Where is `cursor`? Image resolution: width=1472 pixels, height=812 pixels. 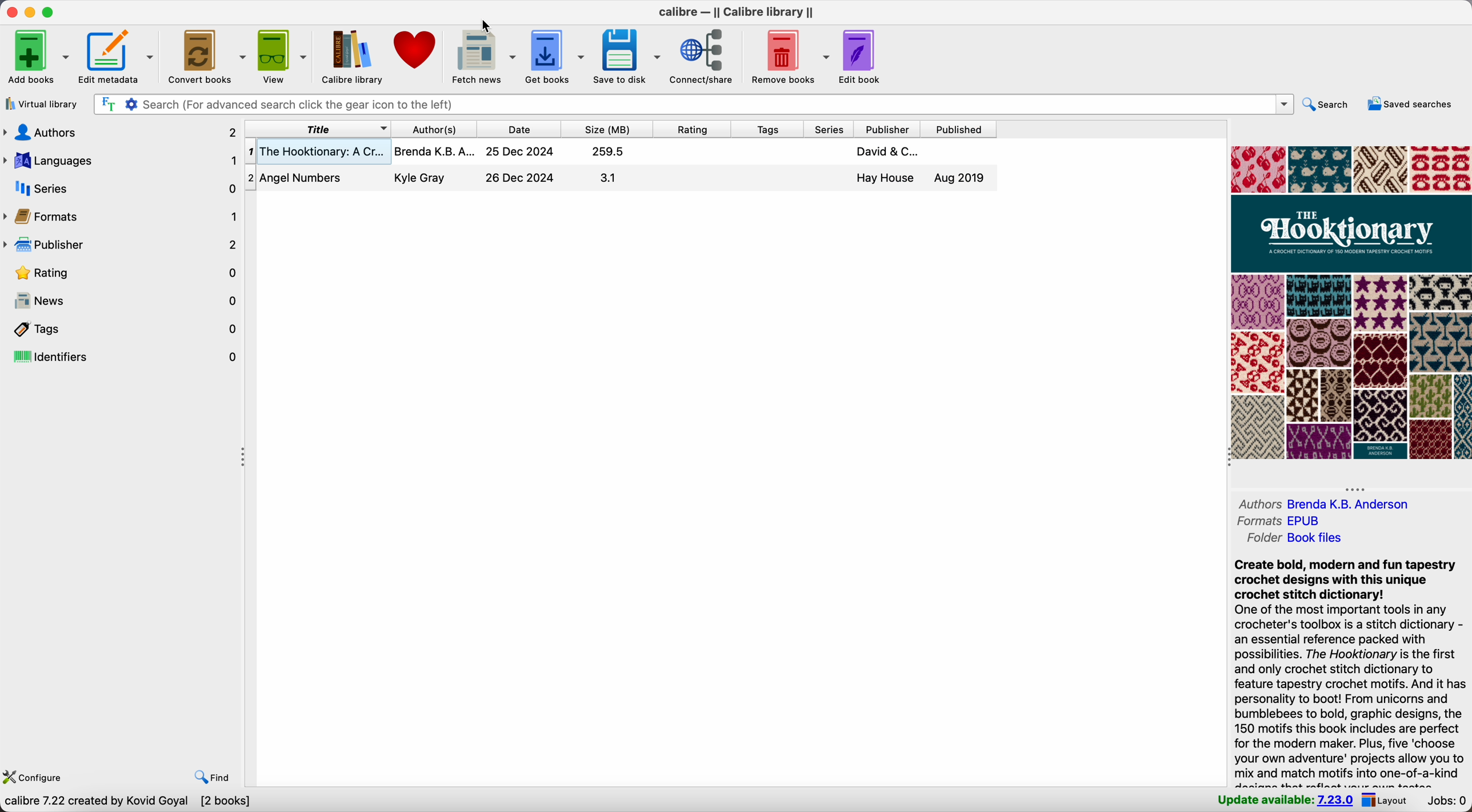 cursor is located at coordinates (487, 28).